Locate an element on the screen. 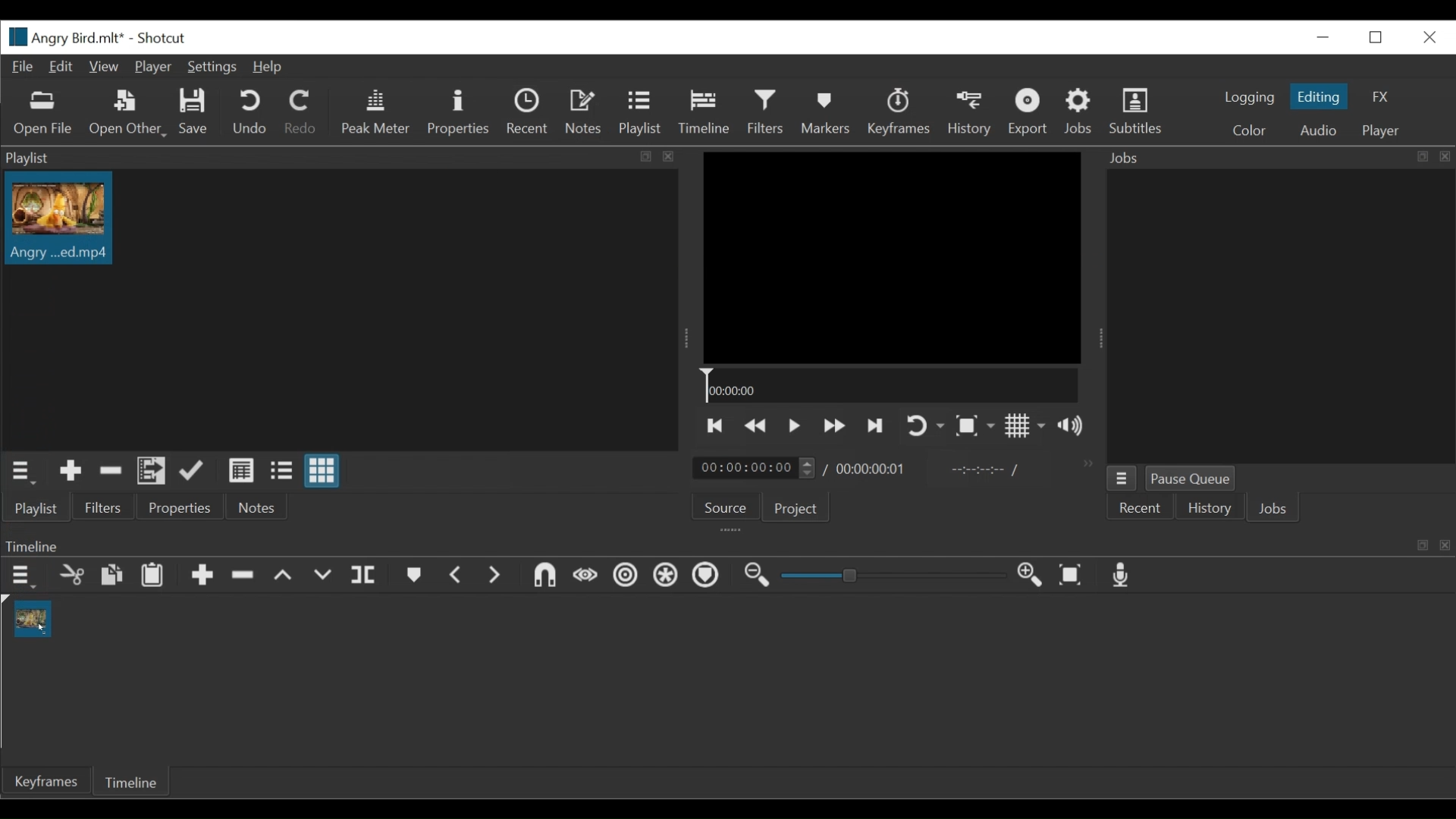 The width and height of the screenshot is (1456, 819). Zoom timeline out is located at coordinates (757, 576).